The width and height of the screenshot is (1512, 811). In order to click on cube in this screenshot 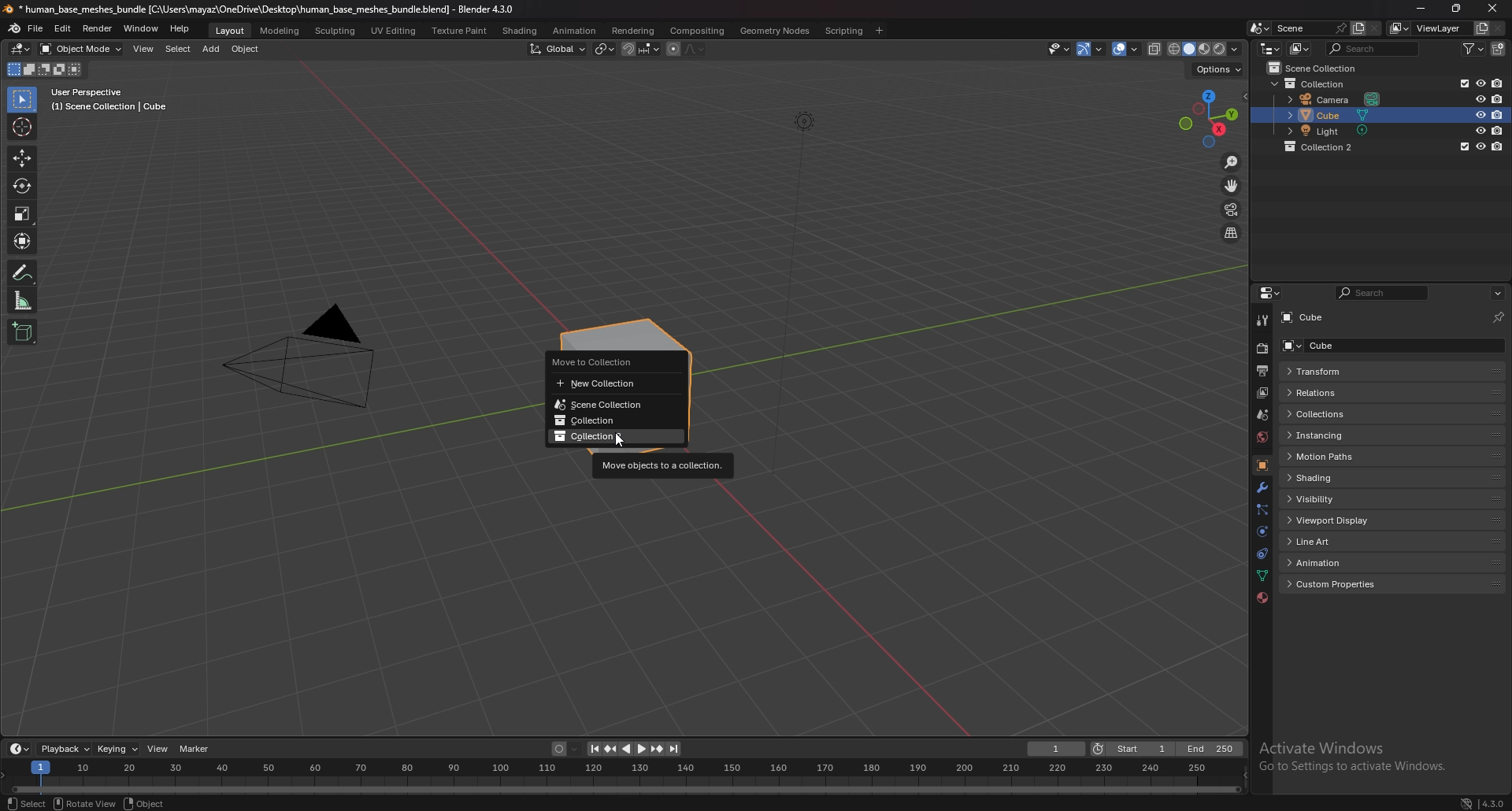, I will do `click(1340, 115)`.